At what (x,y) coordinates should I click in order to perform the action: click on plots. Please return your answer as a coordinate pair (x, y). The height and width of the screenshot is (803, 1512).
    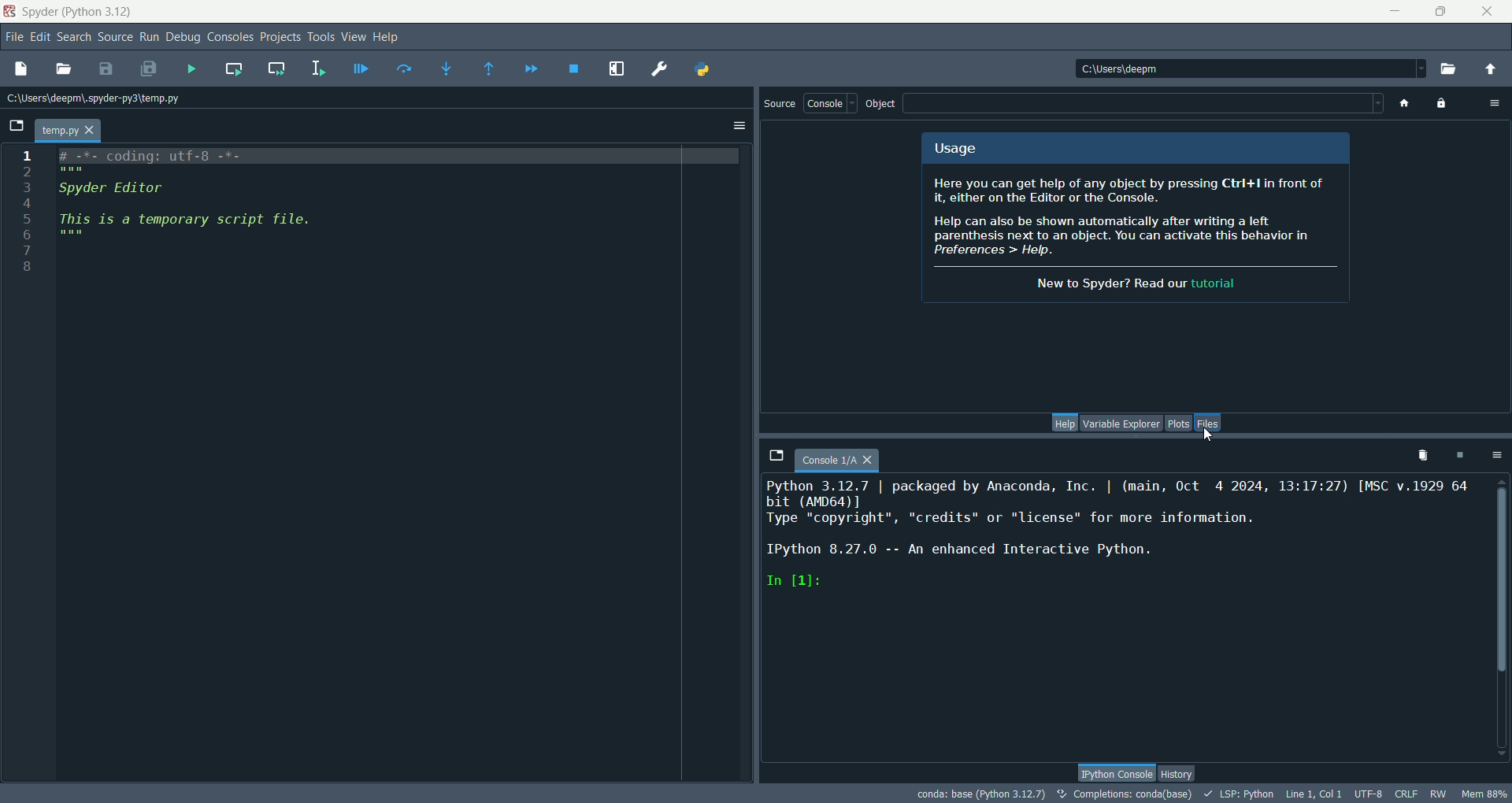
    Looking at the image, I should click on (1178, 424).